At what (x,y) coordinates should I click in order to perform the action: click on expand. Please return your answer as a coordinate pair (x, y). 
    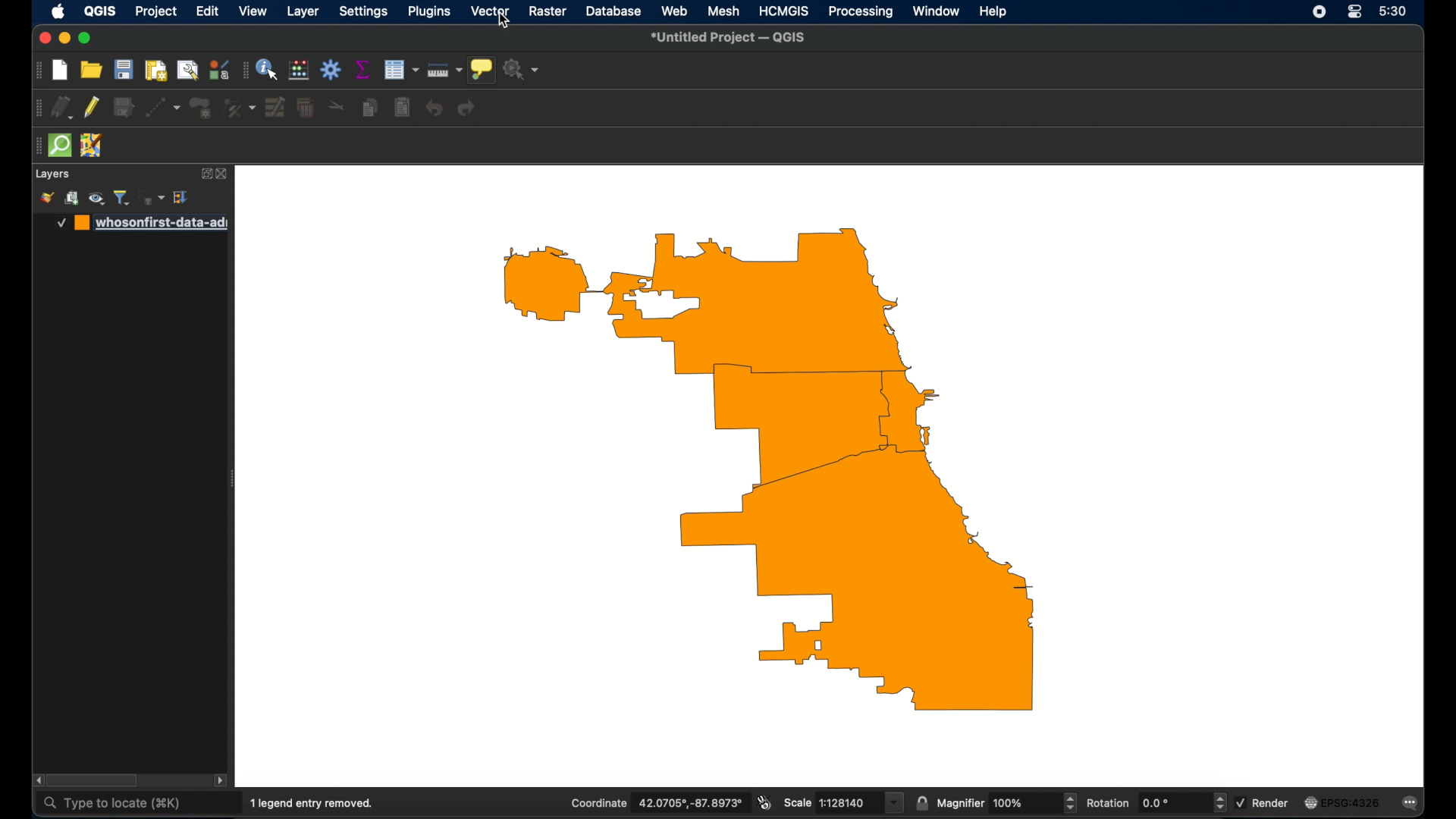
    Looking at the image, I should click on (205, 174).